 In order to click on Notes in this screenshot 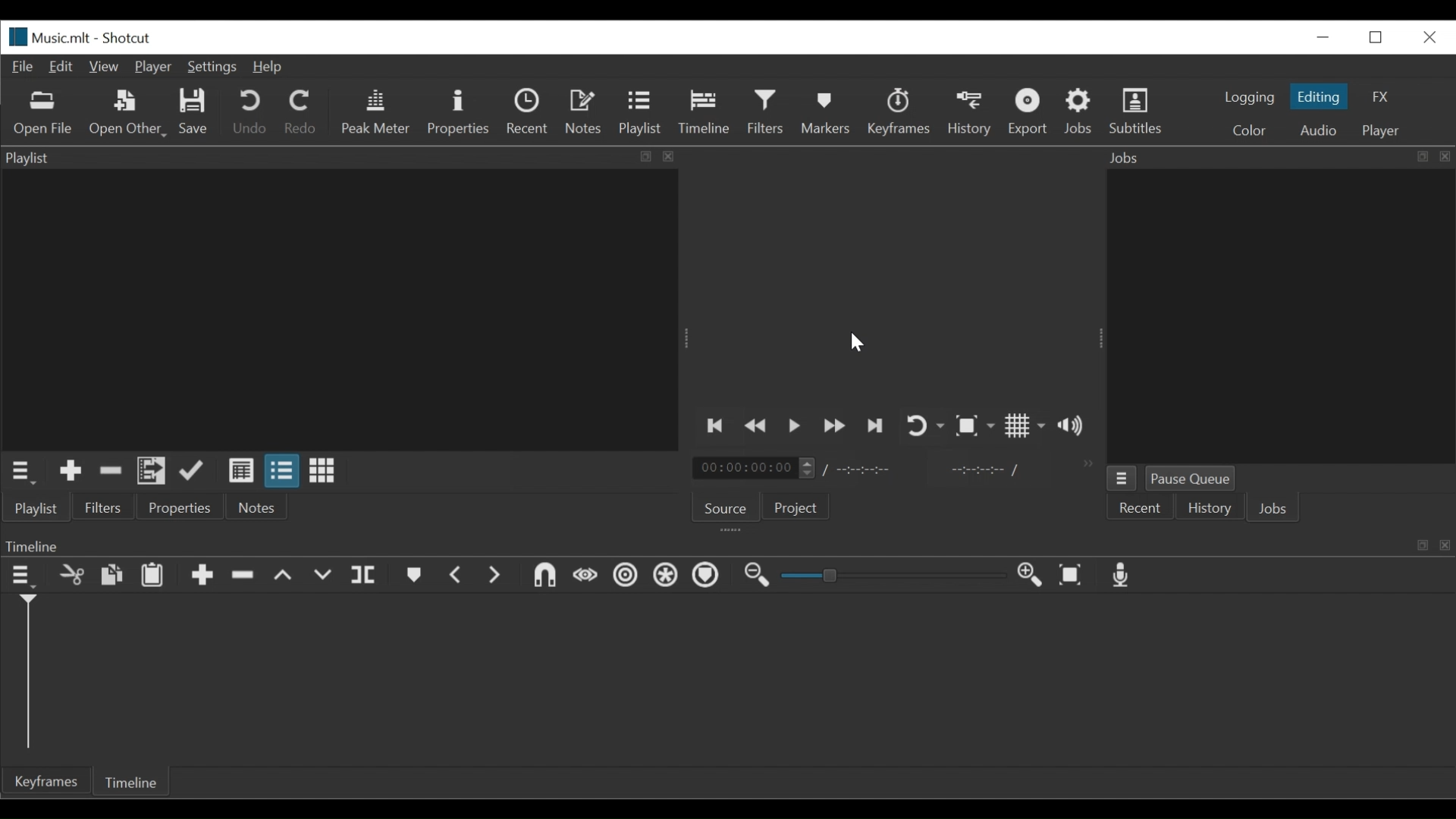, I will do `click(258, 507)`.